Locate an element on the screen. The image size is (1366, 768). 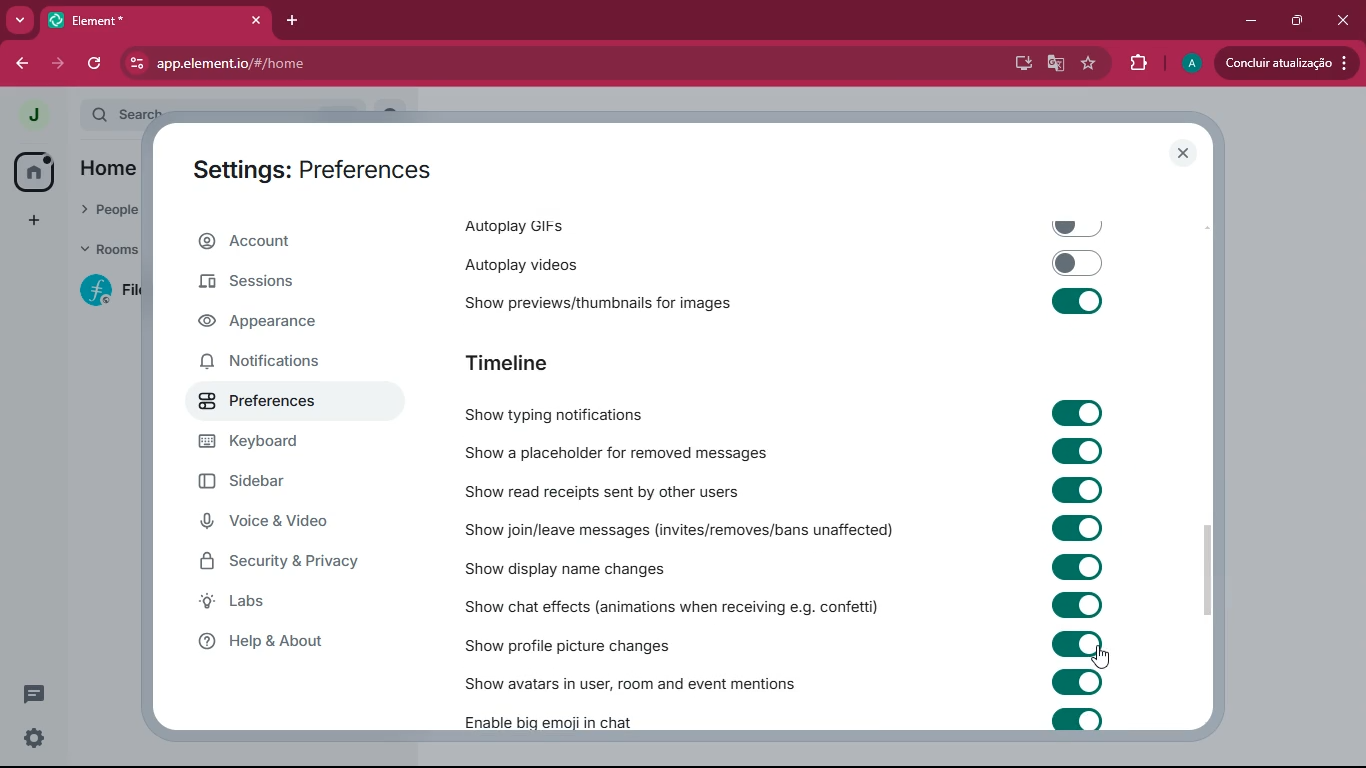
Show display name changes is located at coordinates (783, 568).